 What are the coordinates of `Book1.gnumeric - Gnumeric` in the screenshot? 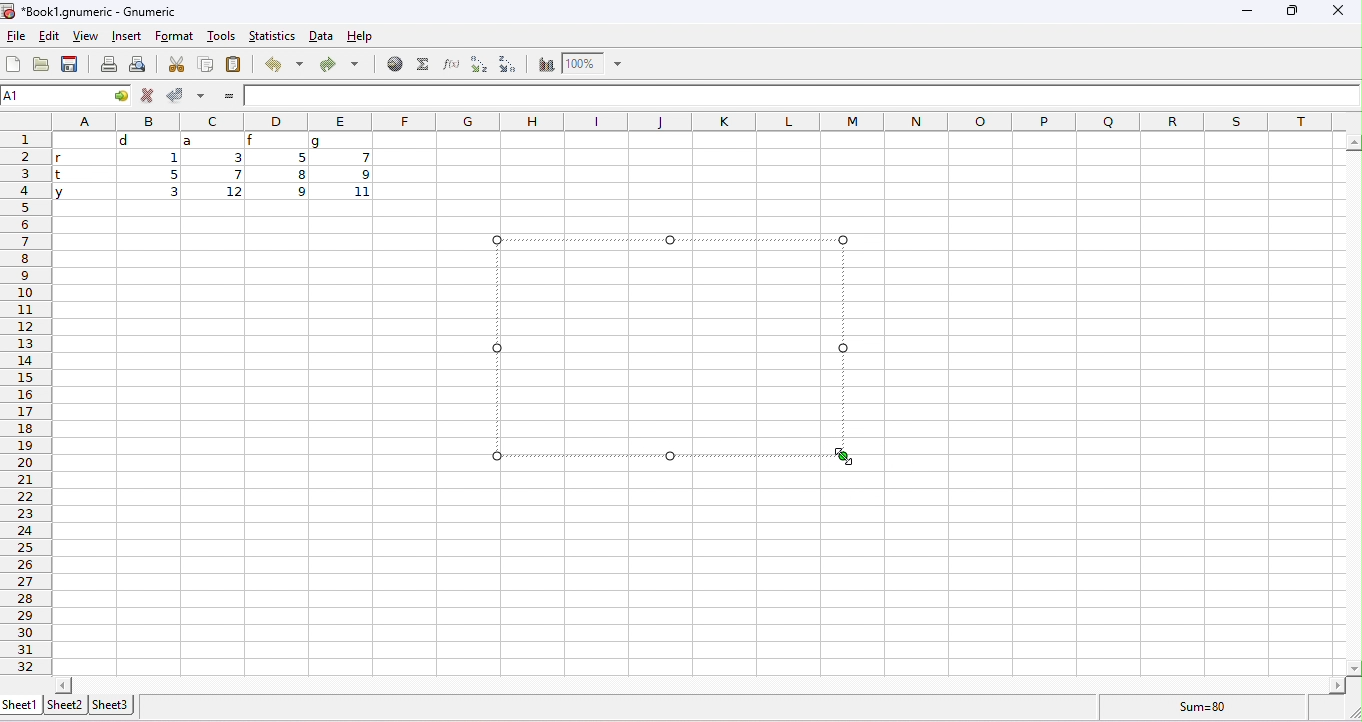 It's located at (92, 11).